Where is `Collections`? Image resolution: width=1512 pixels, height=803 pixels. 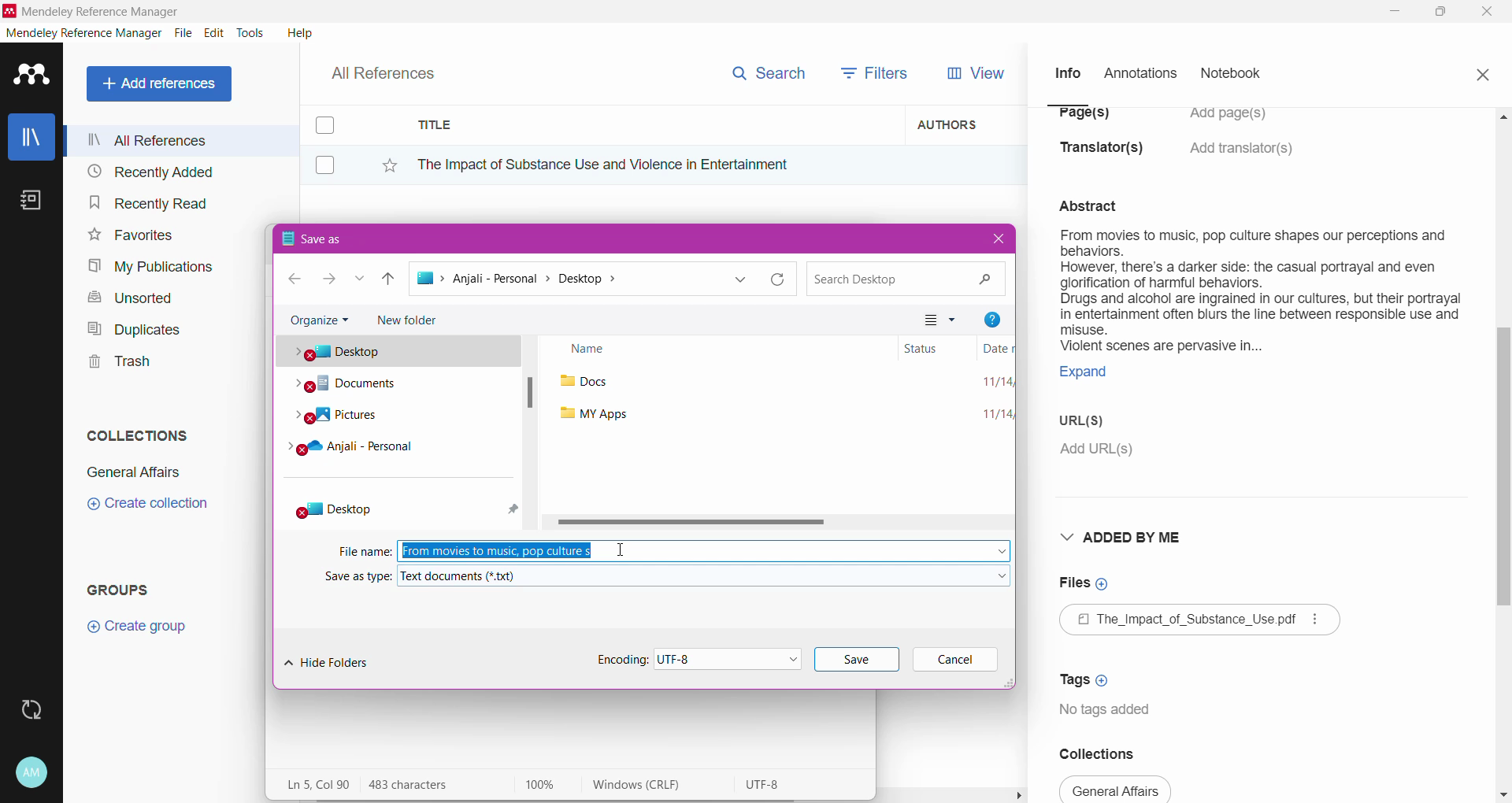 Collections is located at coordinates (133, 432).